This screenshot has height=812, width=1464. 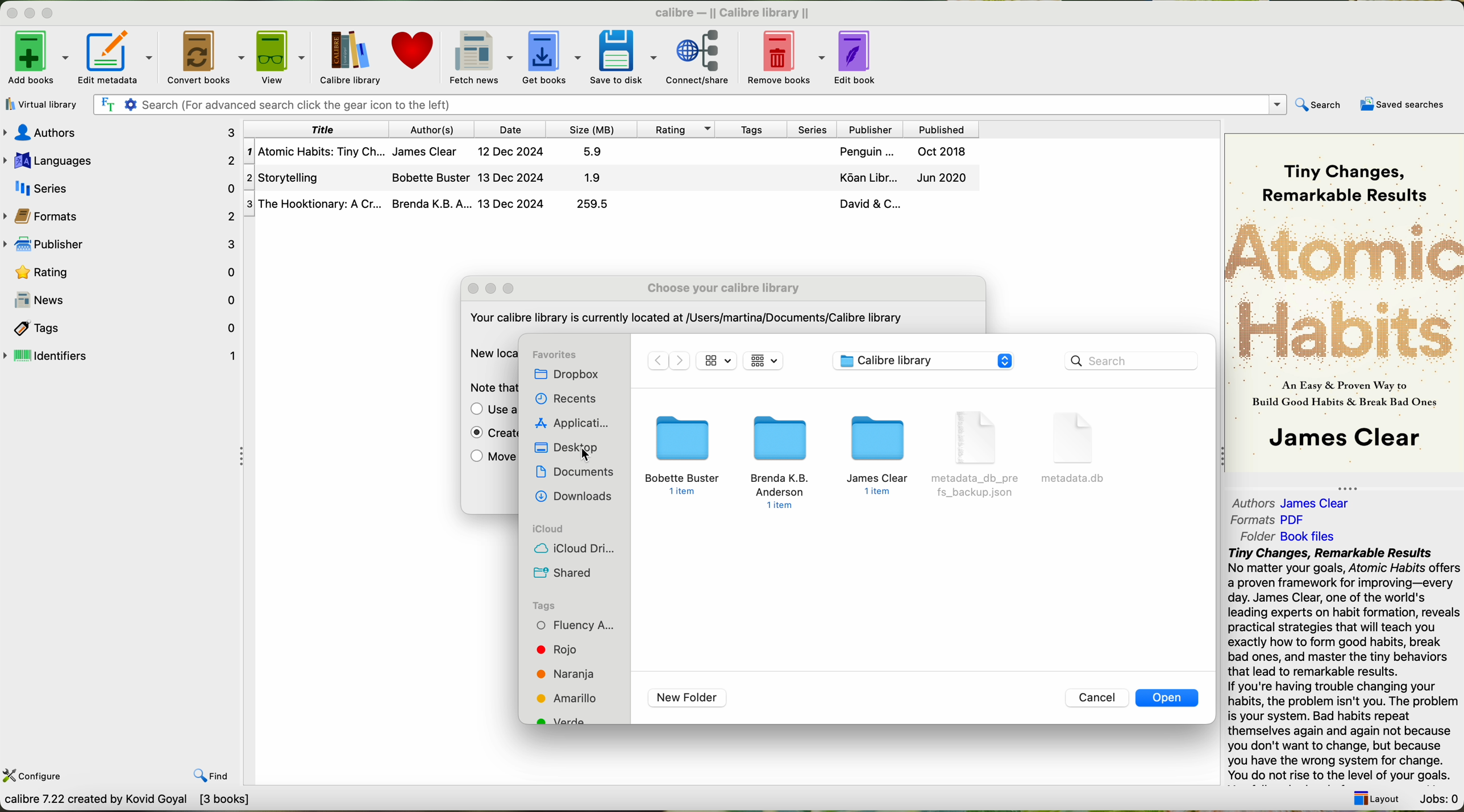 What do you see at coordinates (575, 549) in the screenshot?
I see `icloud drive` at bounding box center [575, 549].